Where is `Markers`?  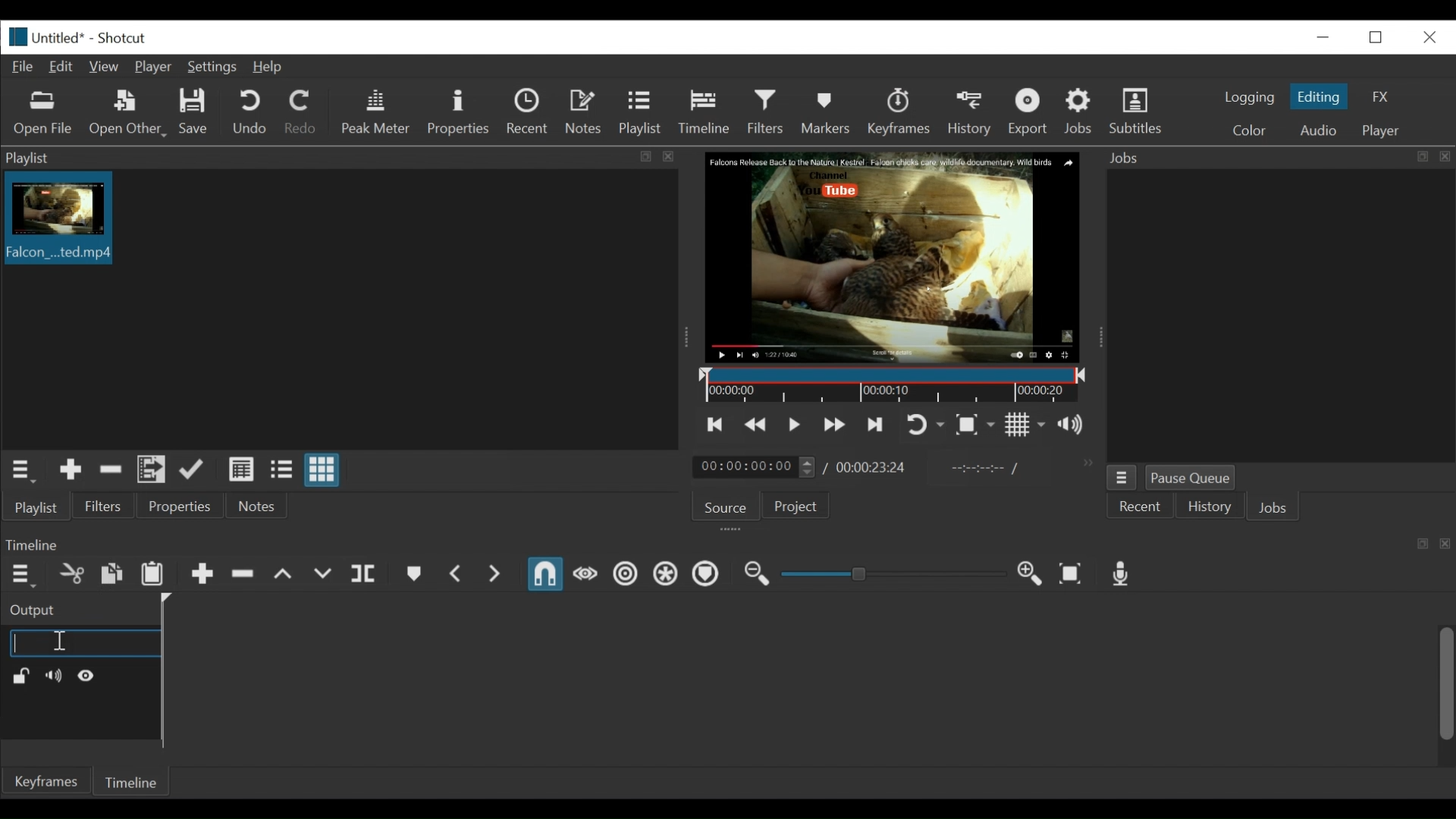
Markers is located at coordinates (829, 114).